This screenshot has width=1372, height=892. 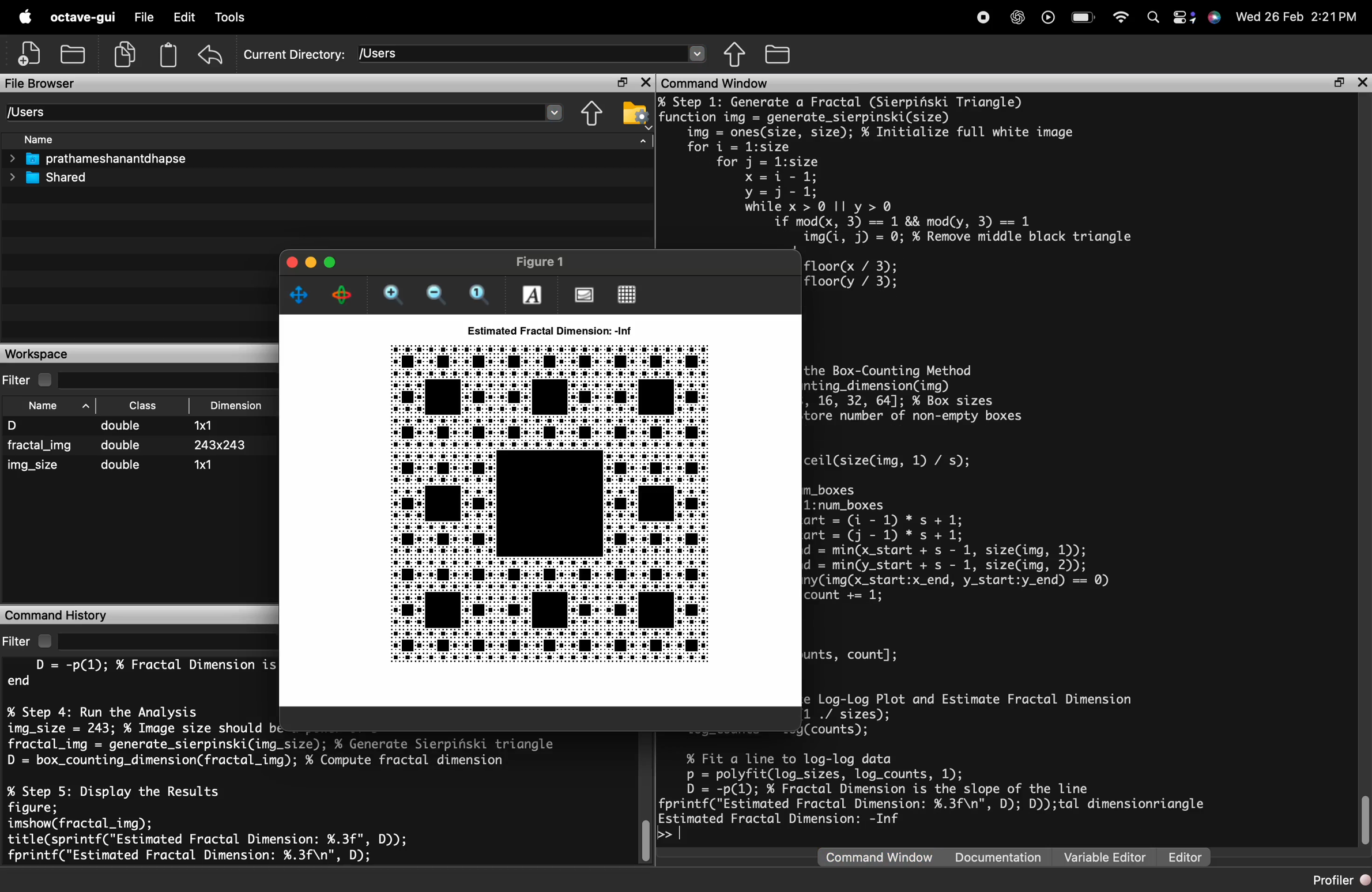 What do you see at coordinates (300, 295) in the screenshot?
I see `navigate` at bounding box center [300, 295].